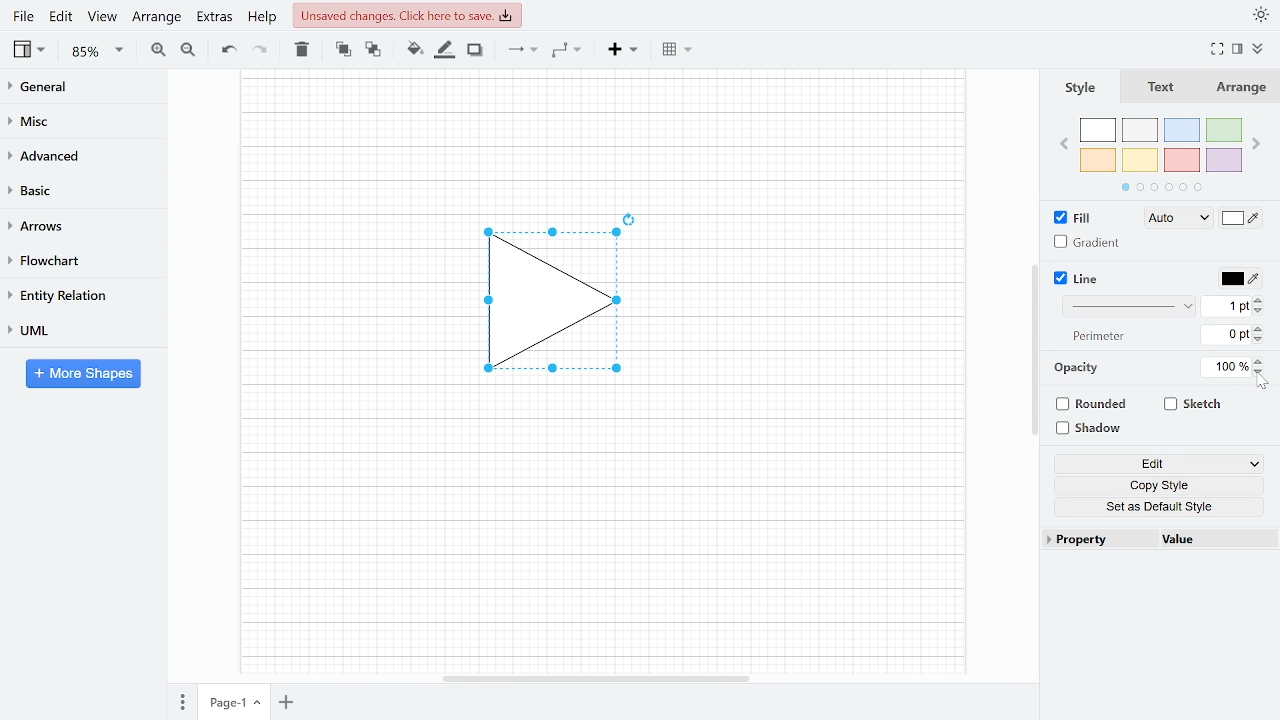  I want to click on Previous, so click(1063, 142).